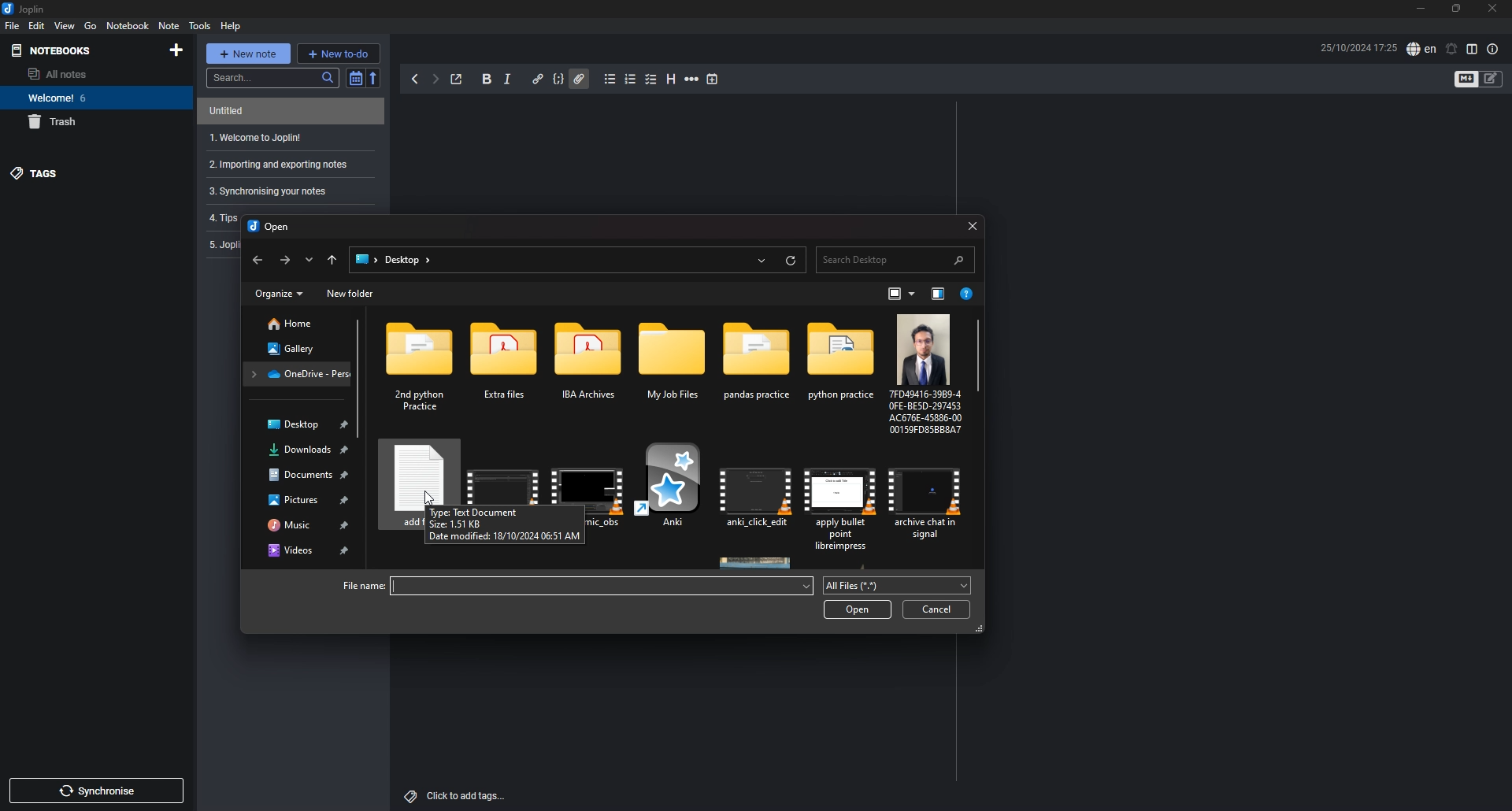  What do you see at coordinates (424, 368) in the screenshot?
I see `folder` at bounding box center [424, 368].